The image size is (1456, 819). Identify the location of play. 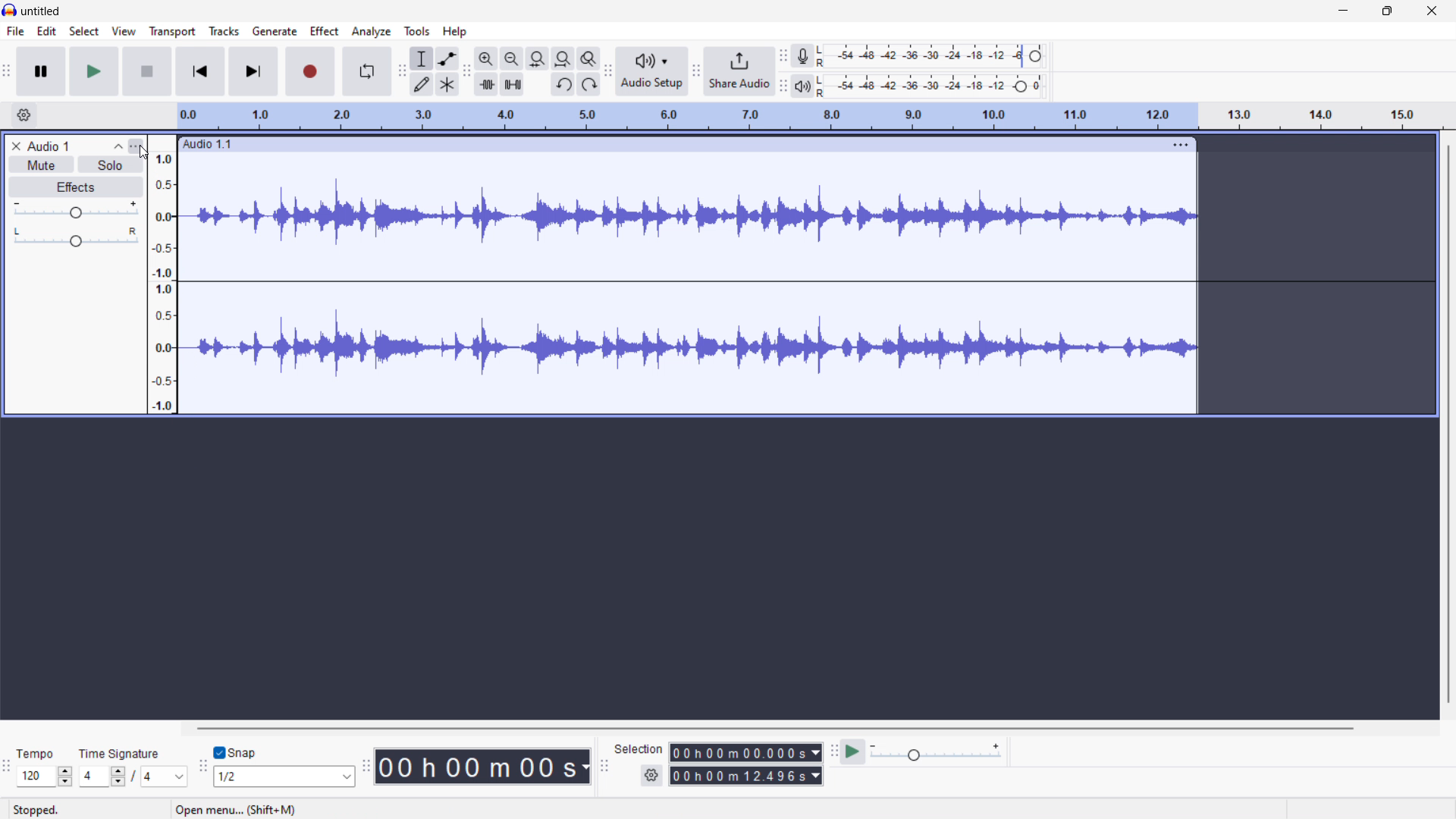
(94, 72).